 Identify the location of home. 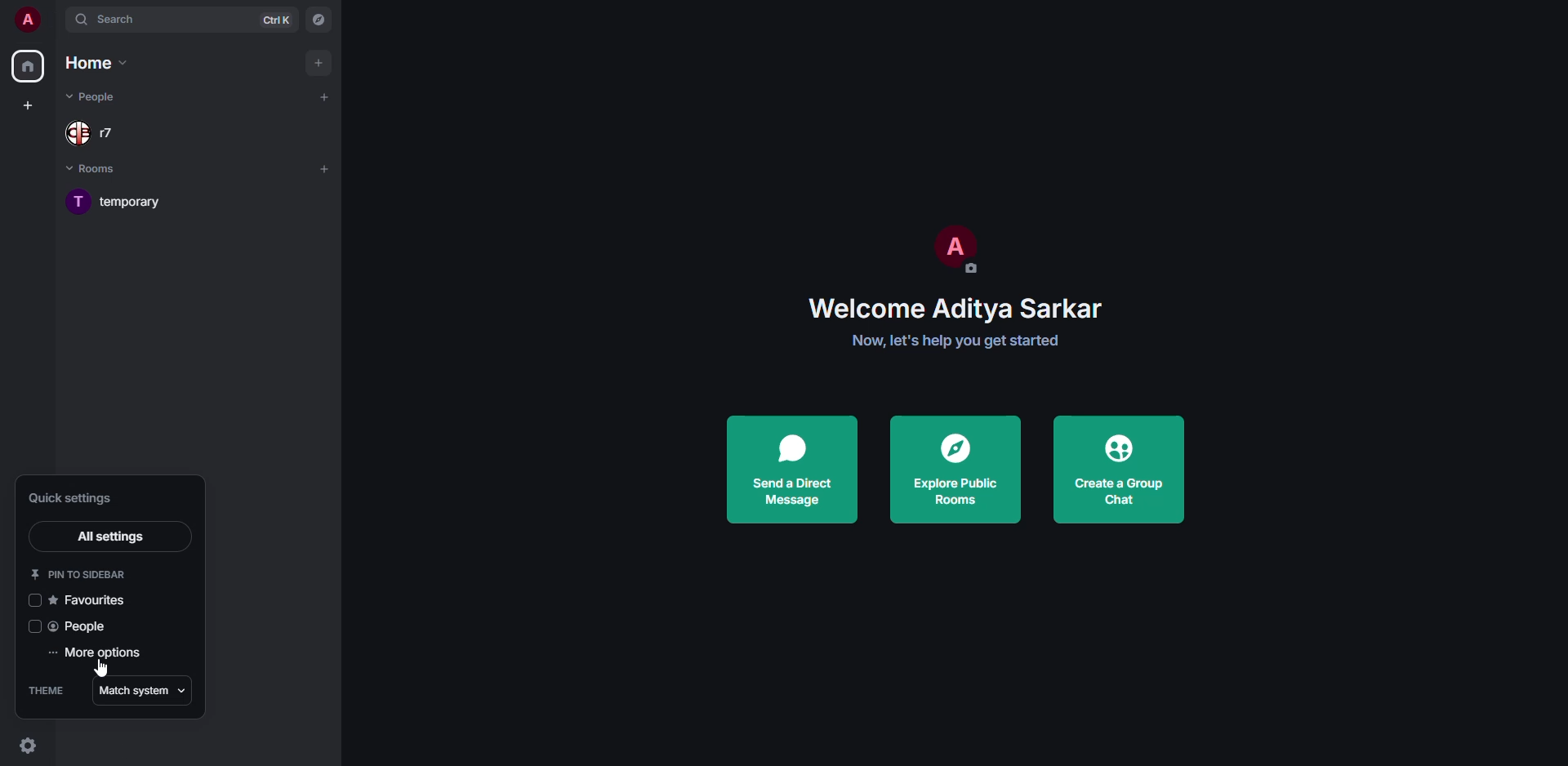
(31, 67).